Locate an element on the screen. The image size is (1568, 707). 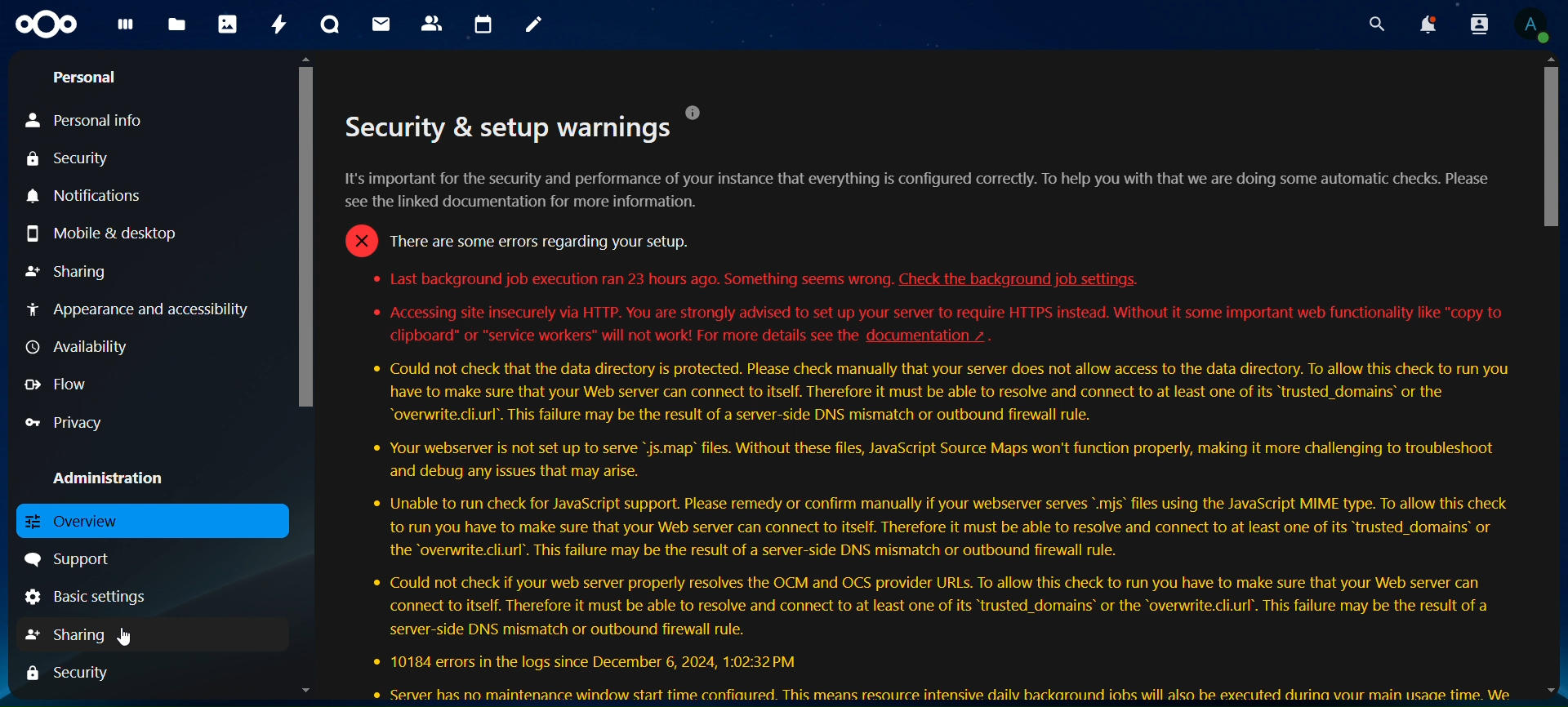
icon is located at coordinates (44, 26).